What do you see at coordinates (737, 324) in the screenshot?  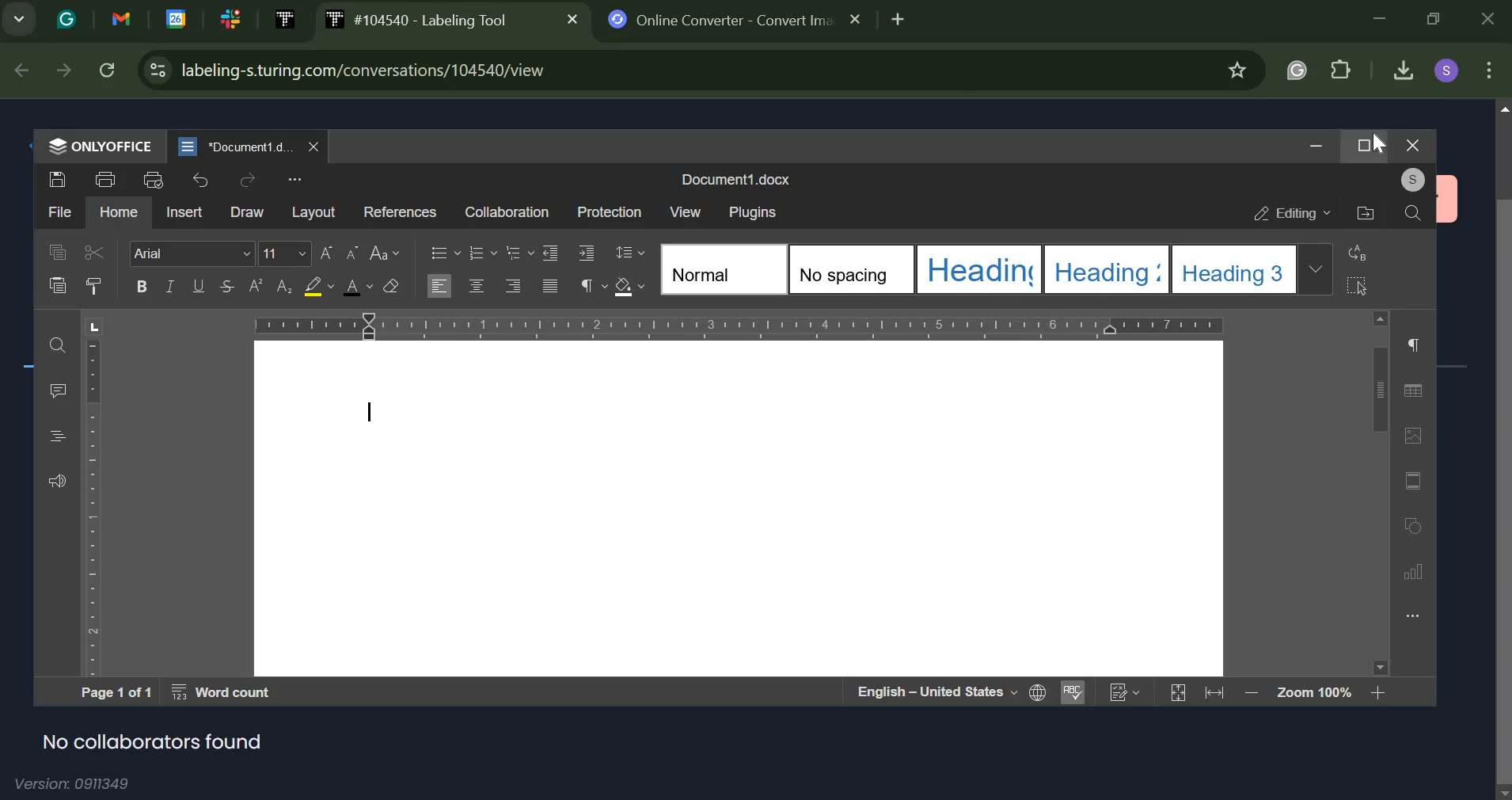 I see `horizontal scale` at bounding box center [737, 324].